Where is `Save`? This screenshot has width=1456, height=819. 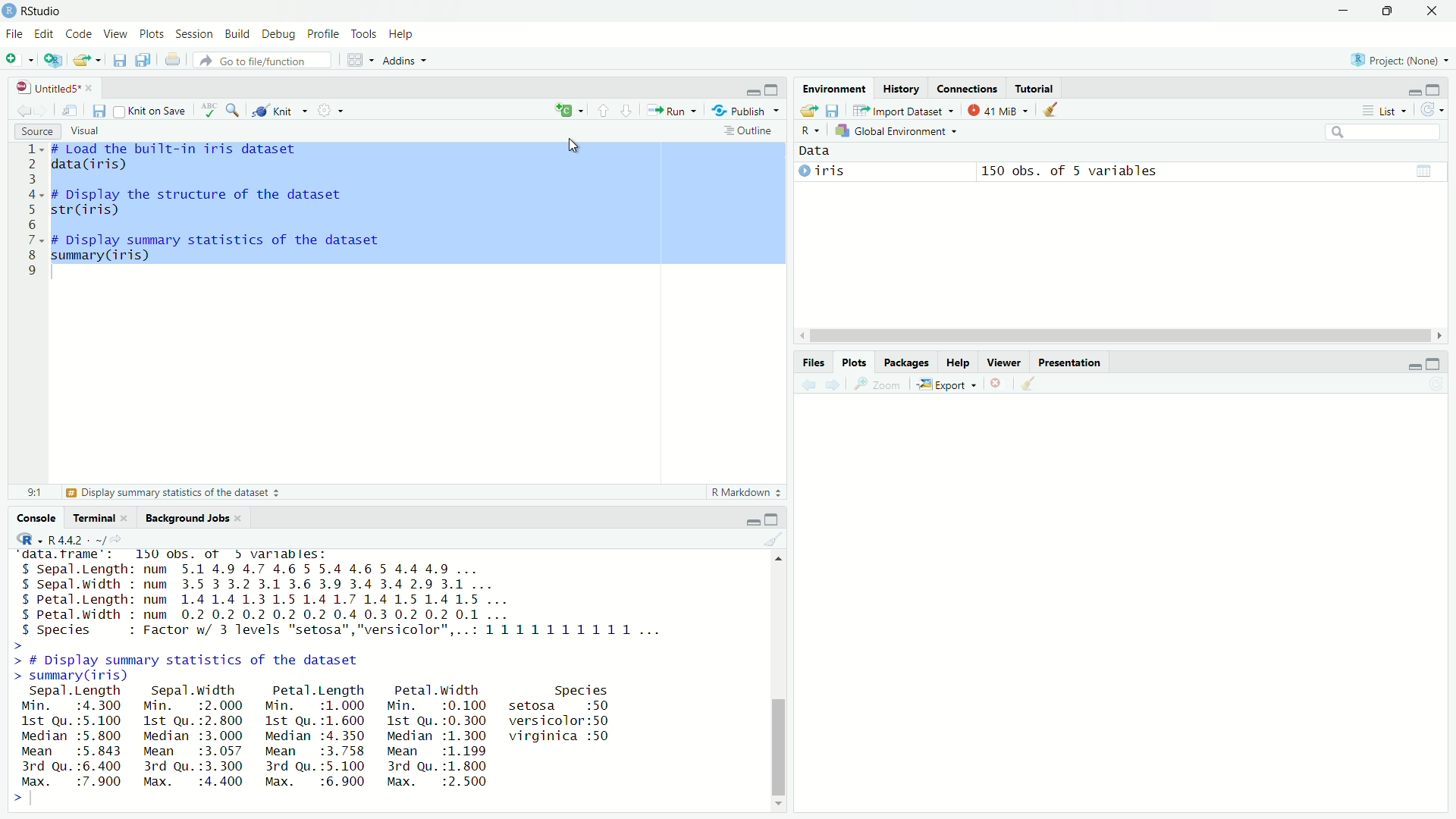 Save is located at coordinates (98, 111).